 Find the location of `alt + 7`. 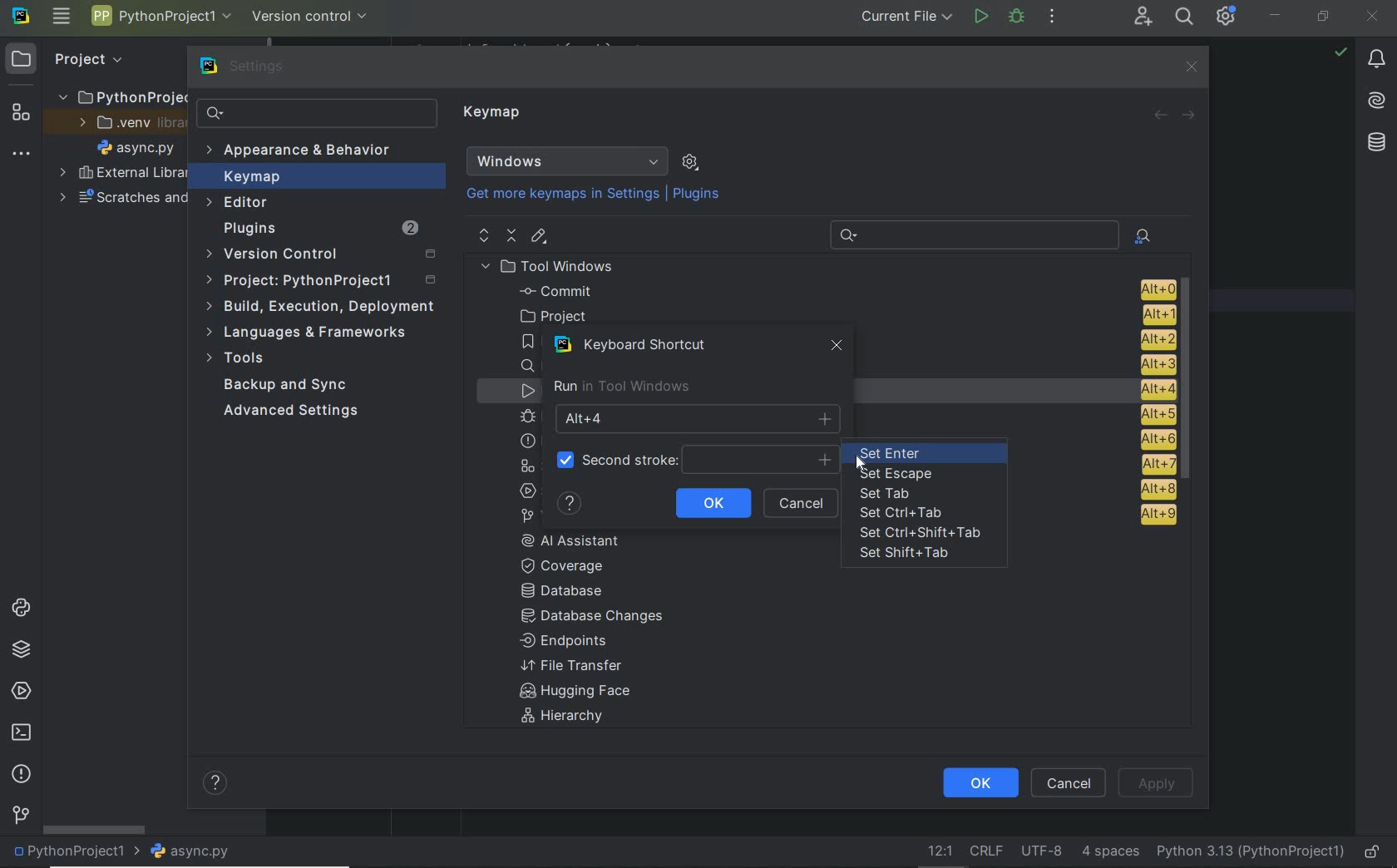

alt + 7 is located at coordinates (1158, 464).